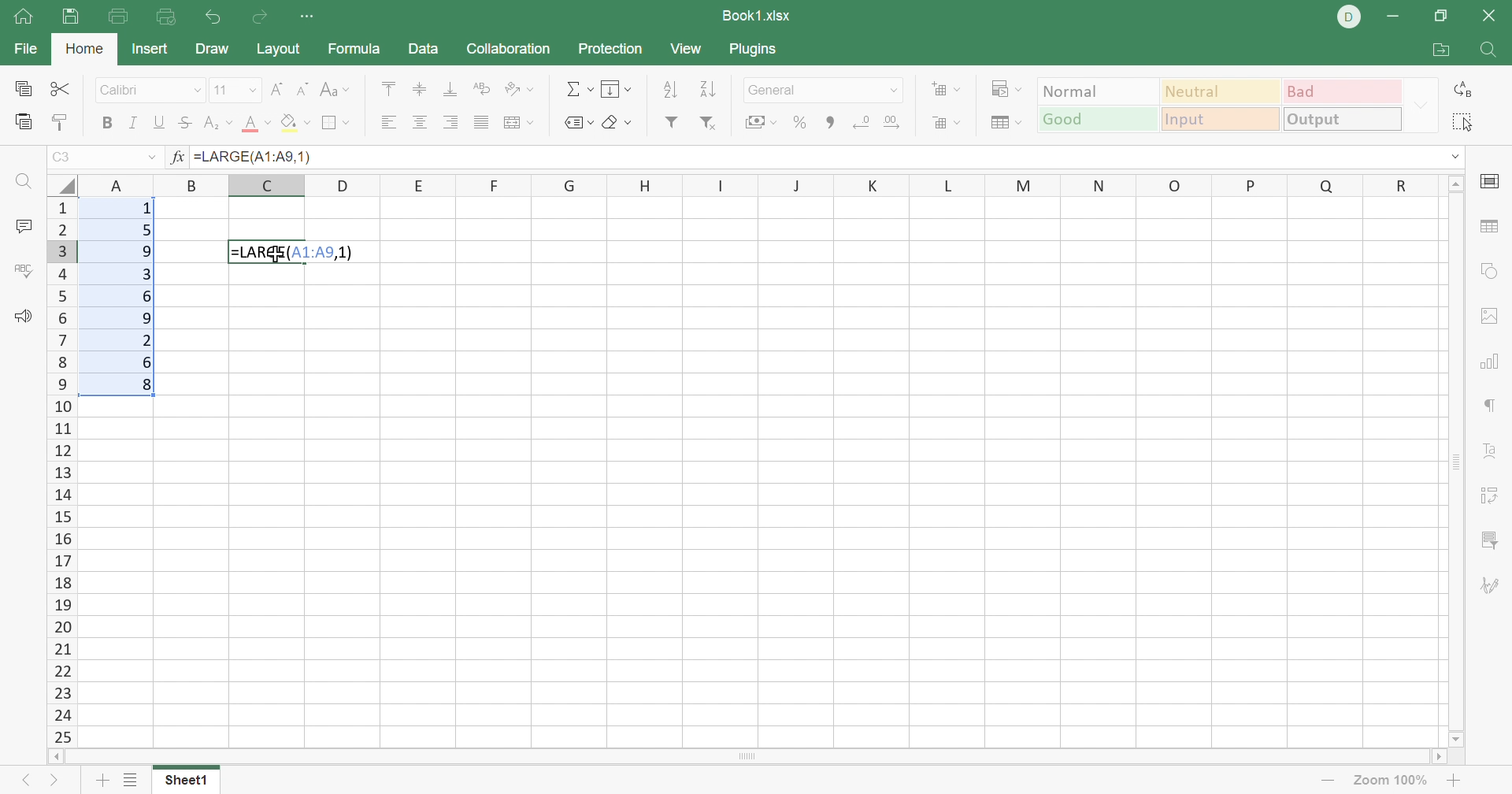  I want to click on Borders, so click(334, 122).